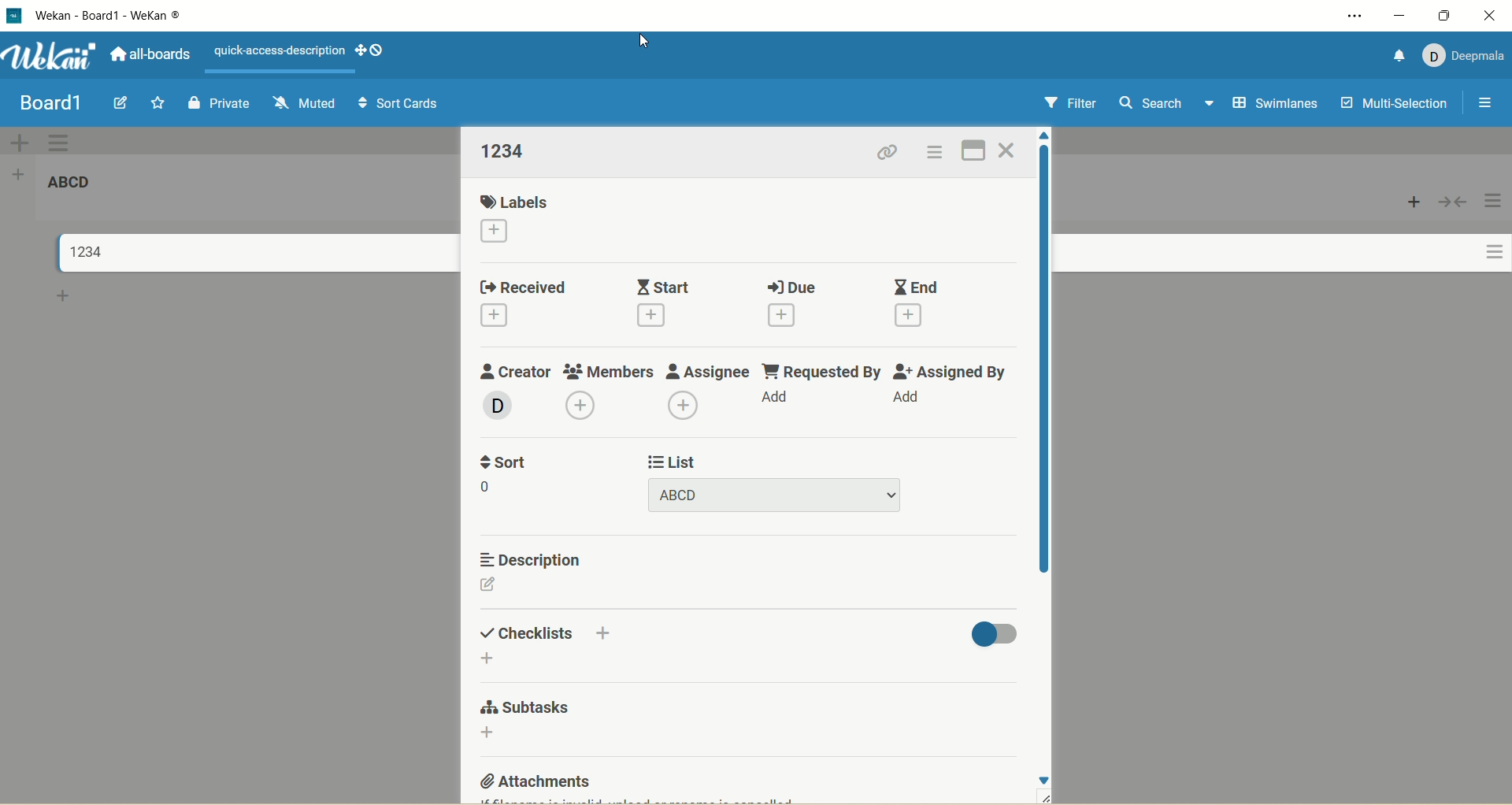 This screenshot has width=1512, height=805. I want to click on text, so click(280, 52).